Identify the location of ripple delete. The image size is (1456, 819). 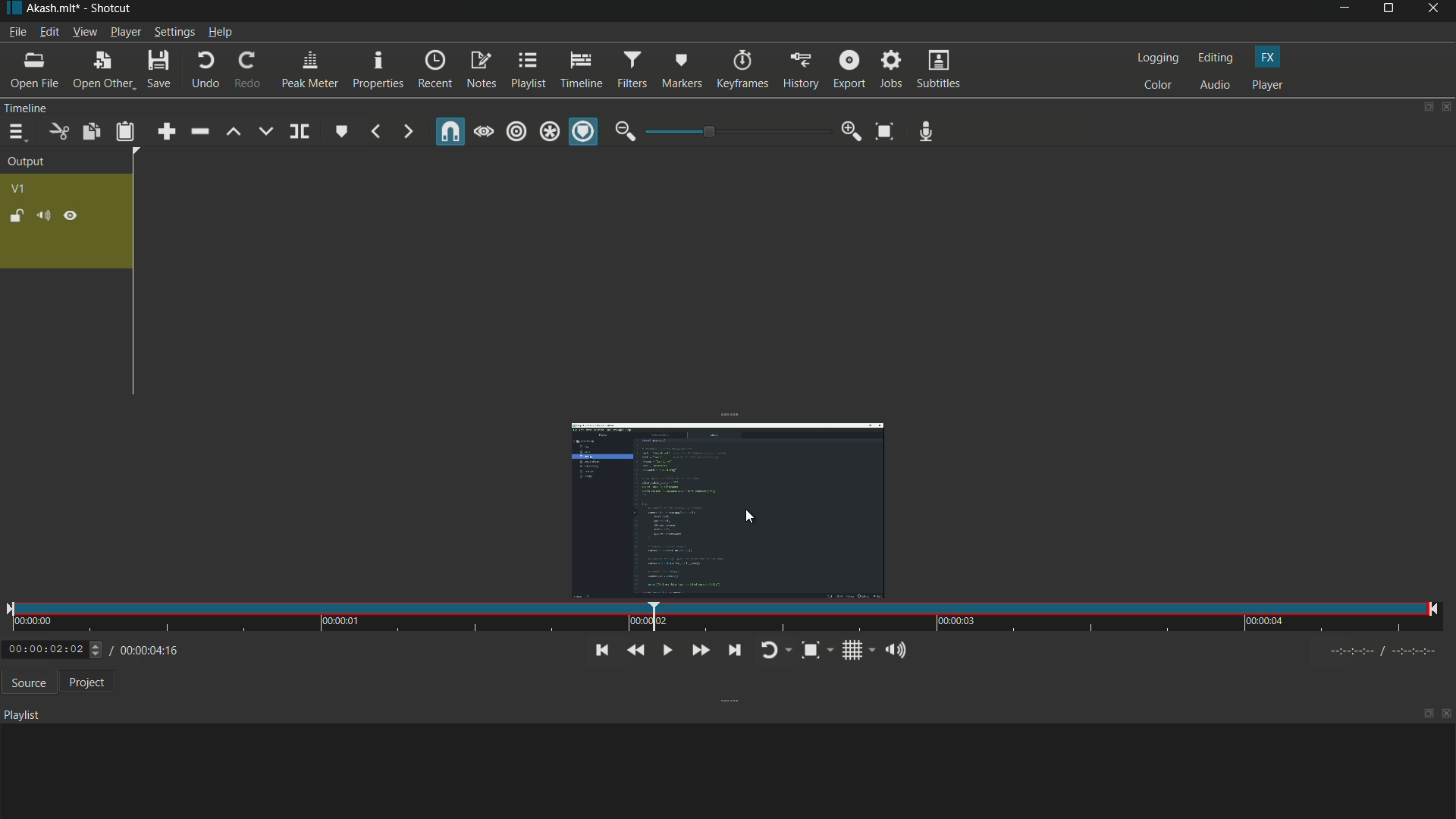
(199, 131).